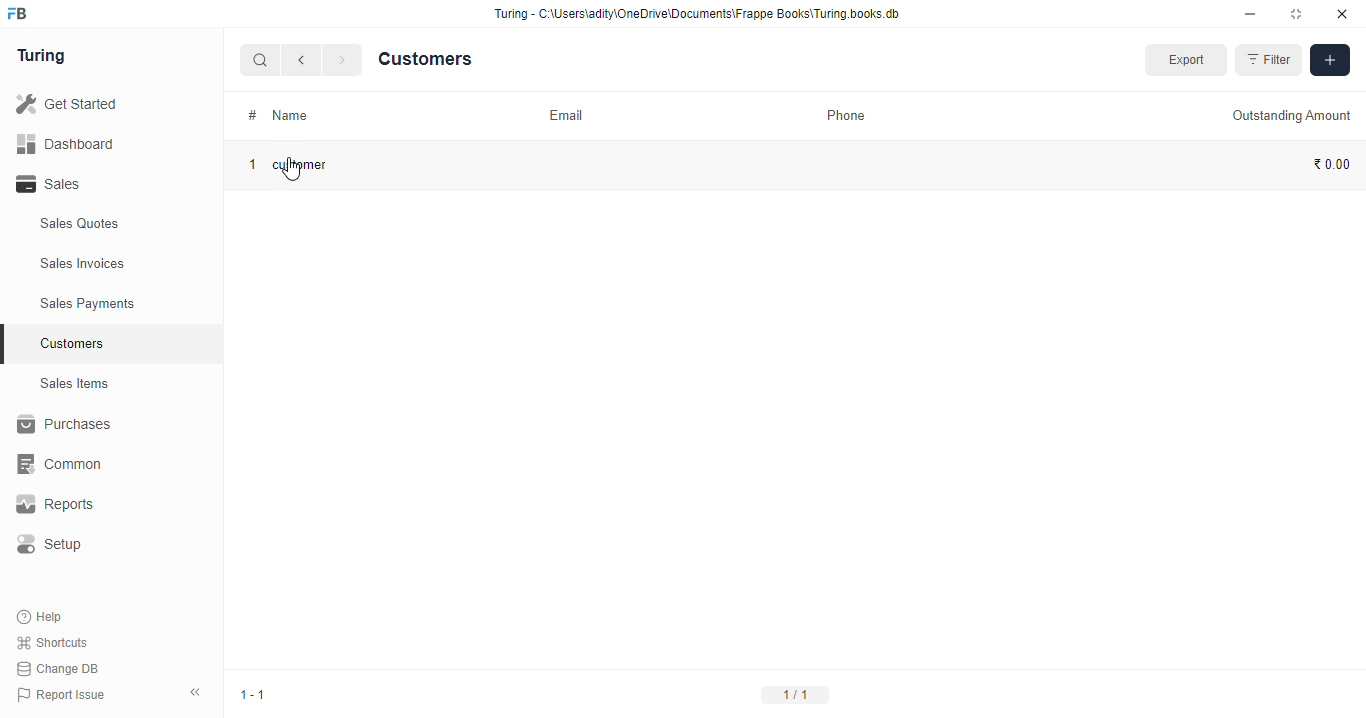 Image resolution: width=1366 pixels, height=718 pixels. Describe the element at coordinates (107, 226) in the screenshot. I see `Sales Quotes` at that location.